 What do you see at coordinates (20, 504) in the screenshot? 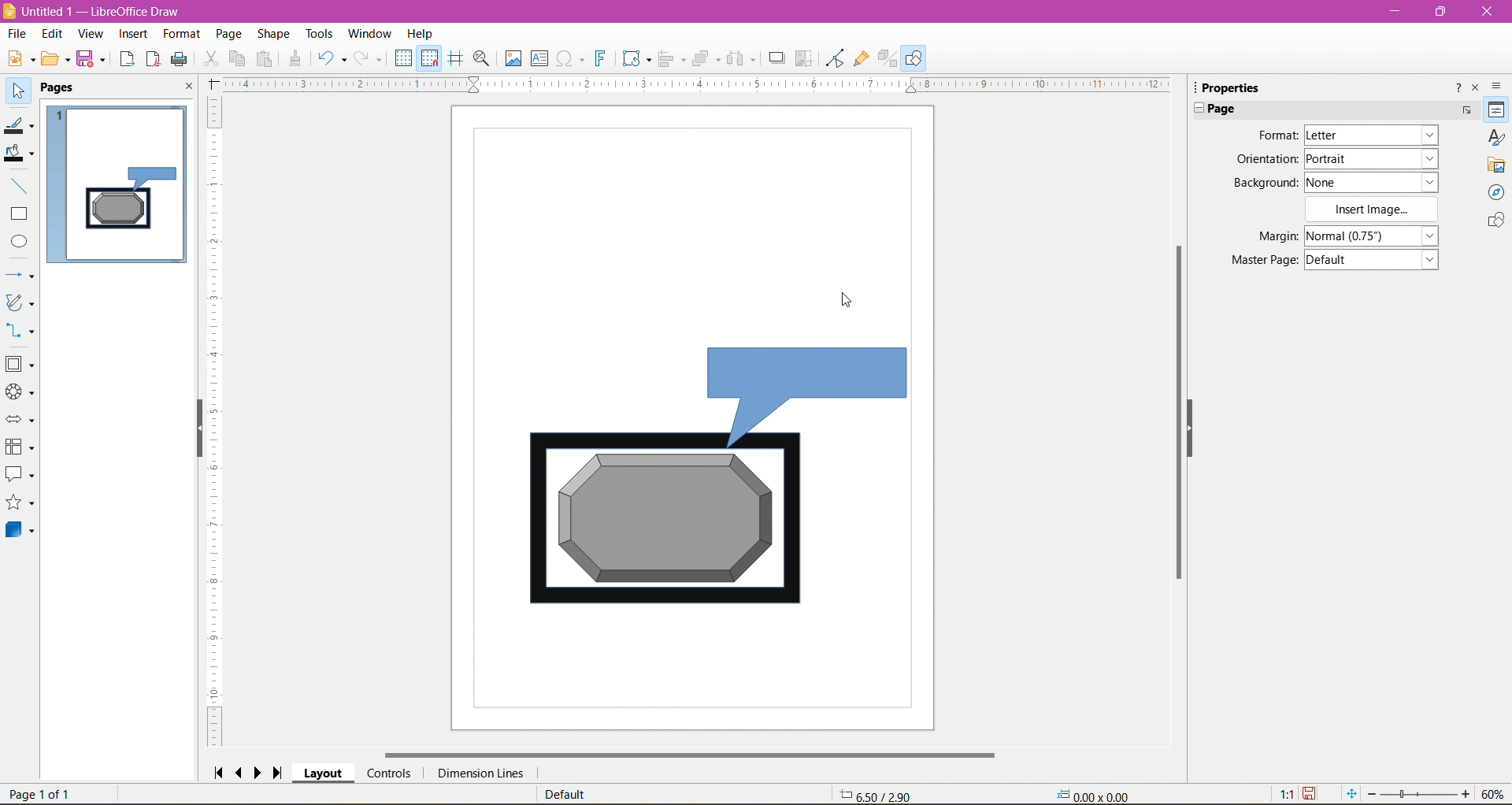
I see `Stars and Banners` at bounding box center [20, 504].